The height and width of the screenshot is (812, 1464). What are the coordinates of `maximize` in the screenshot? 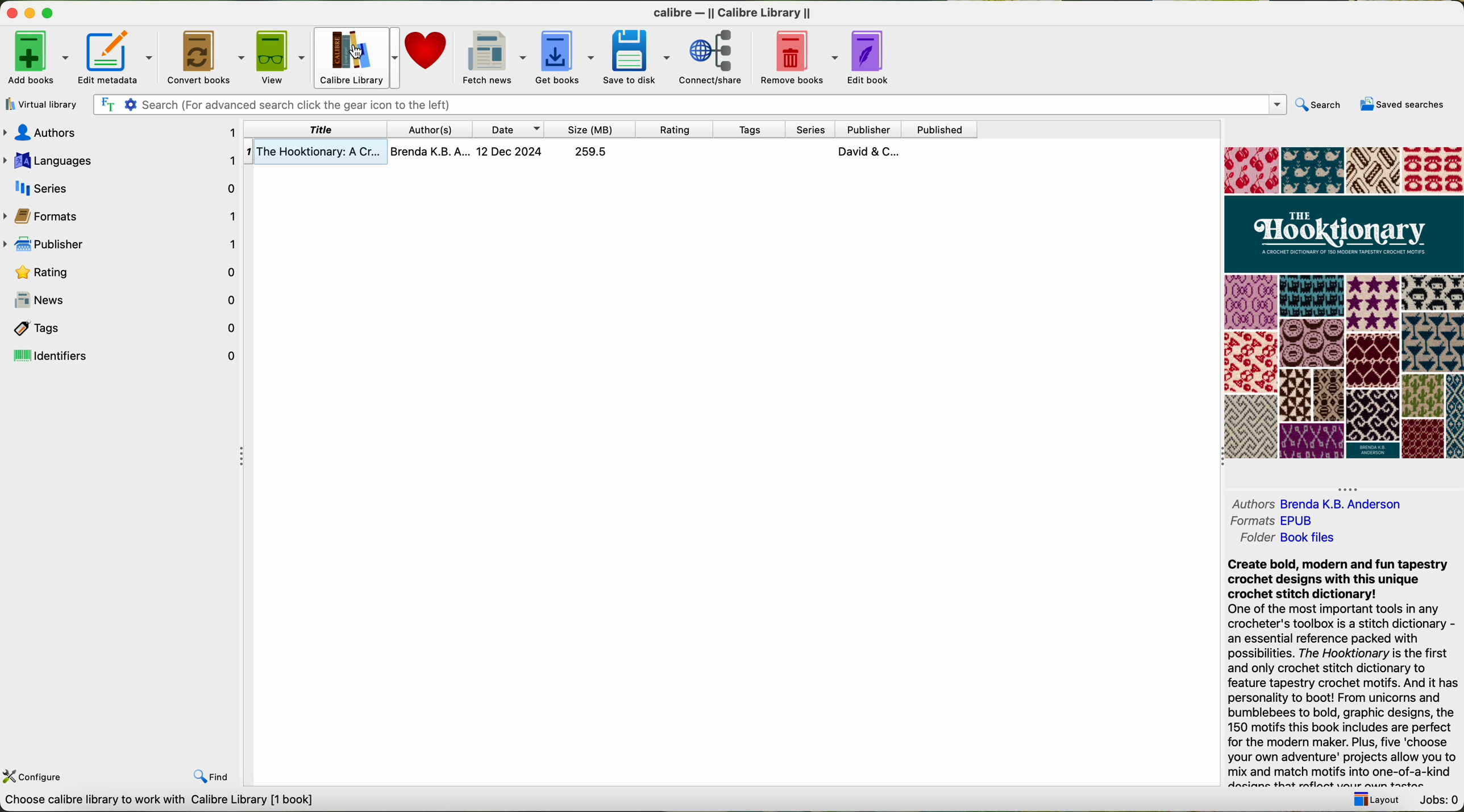 It's located at (48, 13).